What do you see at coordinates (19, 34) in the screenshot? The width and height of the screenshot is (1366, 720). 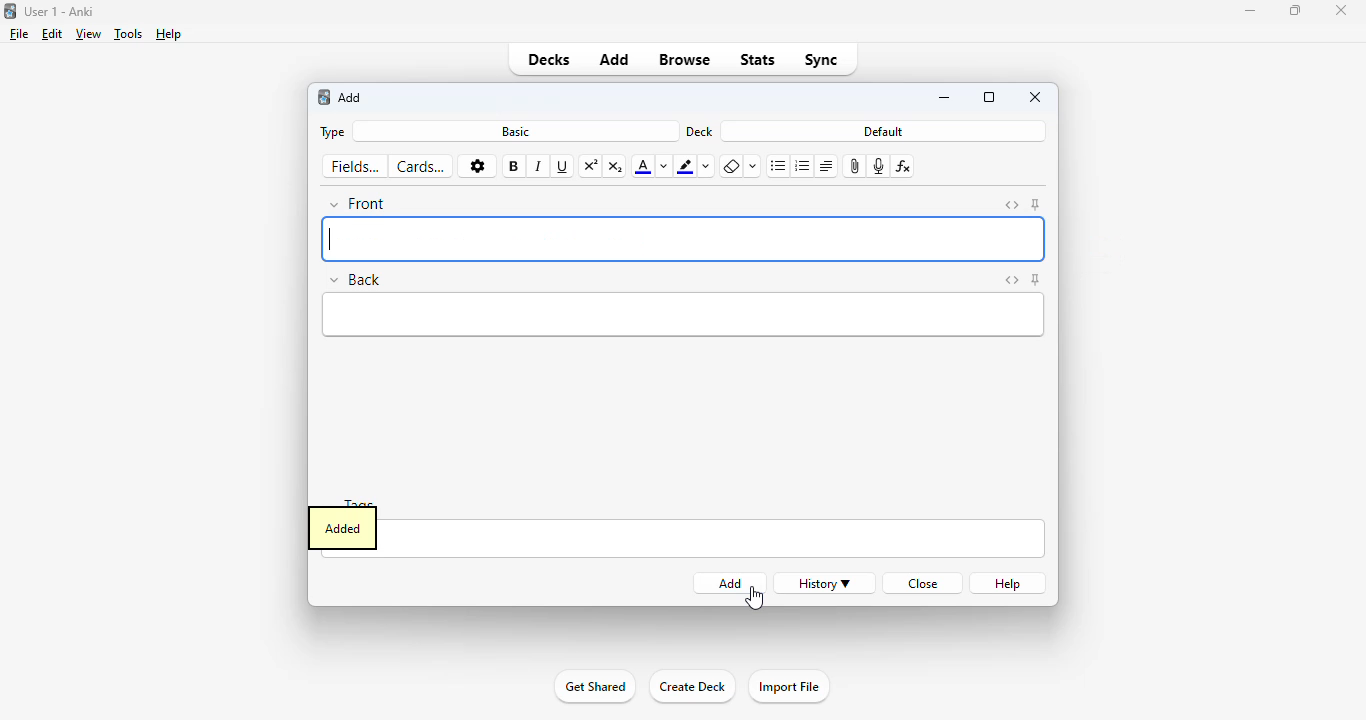 I see `file` at bounding box center [19, 34].